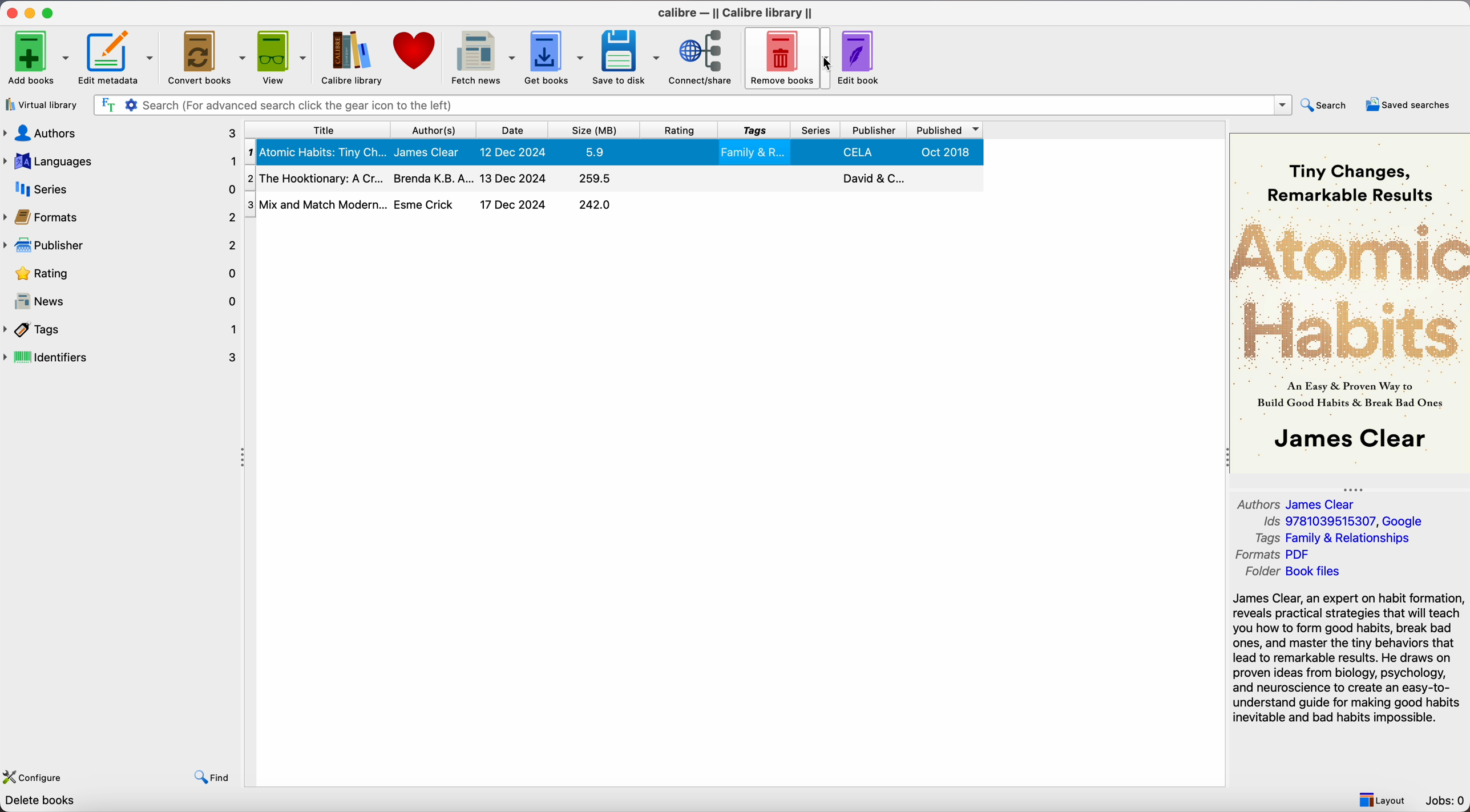 The height and width of the screenshot is (812, 1470). What do you see at coordinates (1445, 801) in the screenshot?
I see `Jobs: 0` at bounding box center [1445, 801].